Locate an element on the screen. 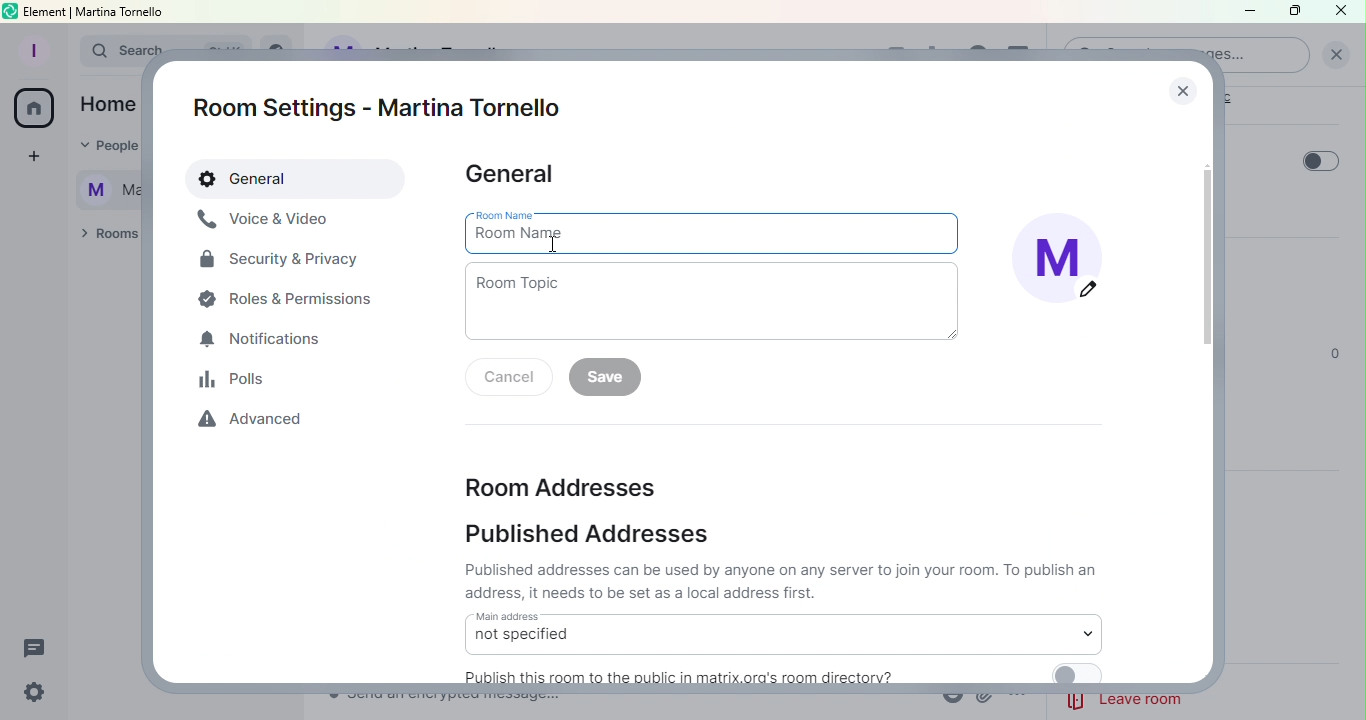  Martina Tornello is located at coordinates (101, 187).